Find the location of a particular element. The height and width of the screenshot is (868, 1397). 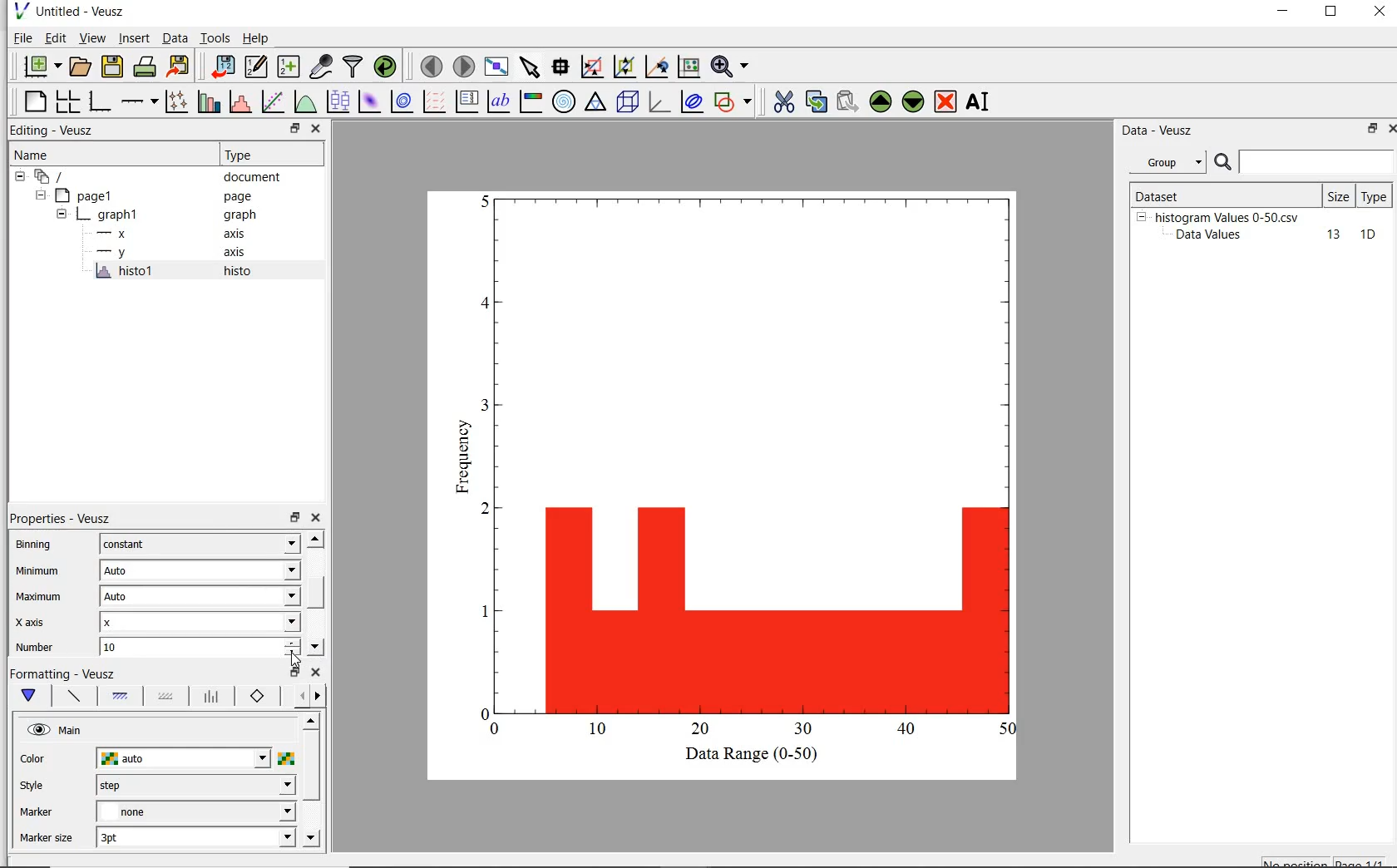

new document is located at coordinates (41, 66).